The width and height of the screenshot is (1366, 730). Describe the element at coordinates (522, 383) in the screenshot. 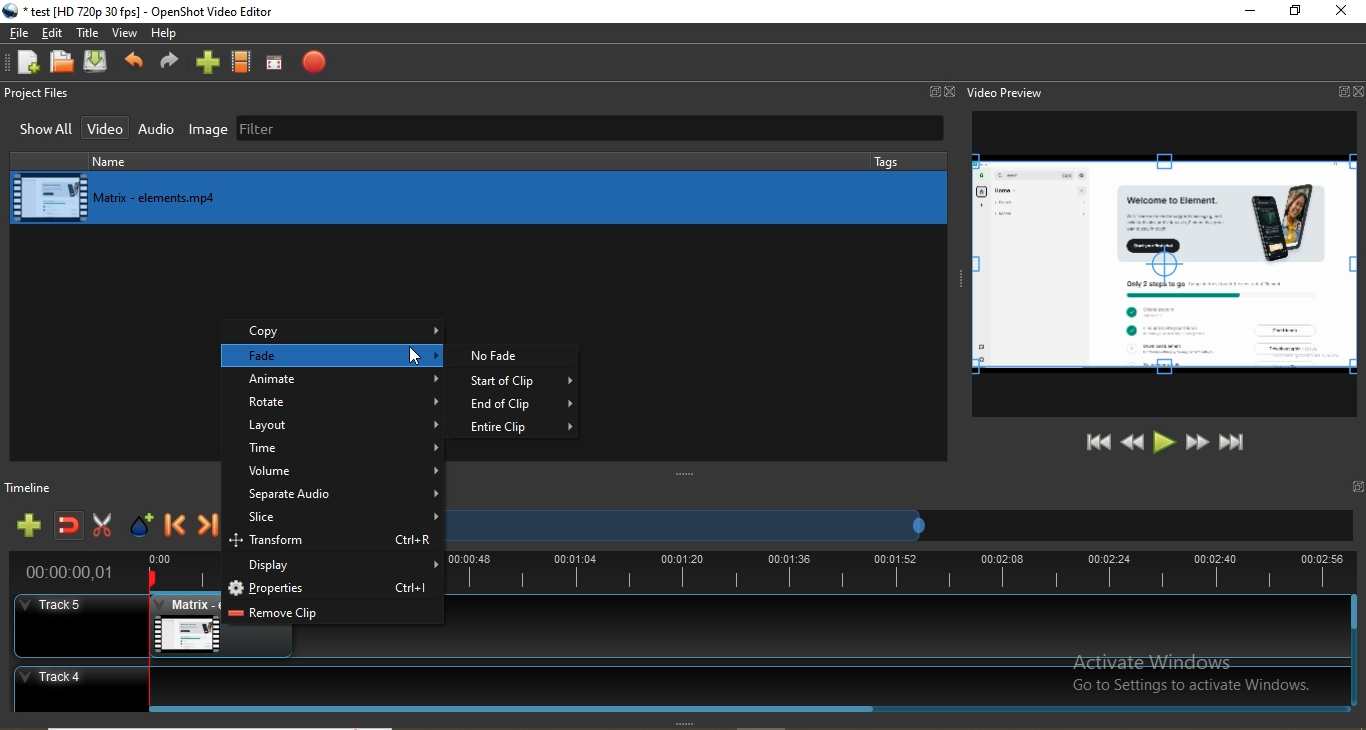

I see `start of clip` at that location.